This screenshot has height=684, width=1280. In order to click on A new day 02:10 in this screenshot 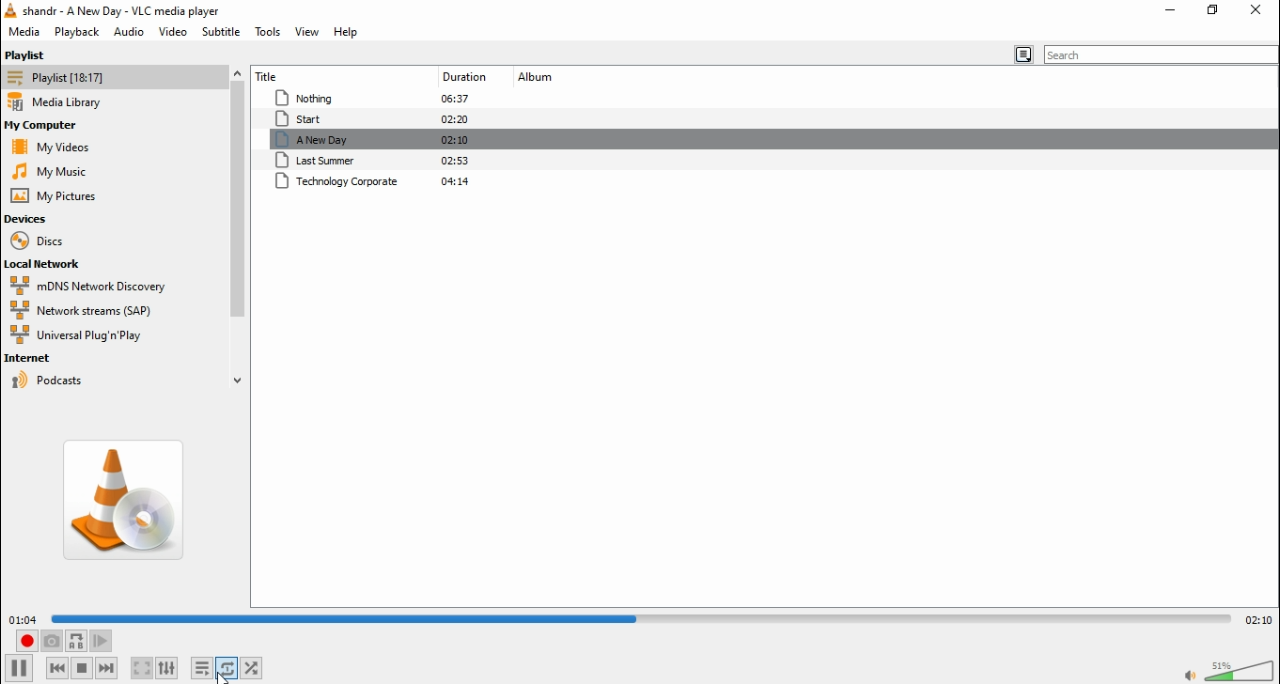, I will do `click(377, 140)`.